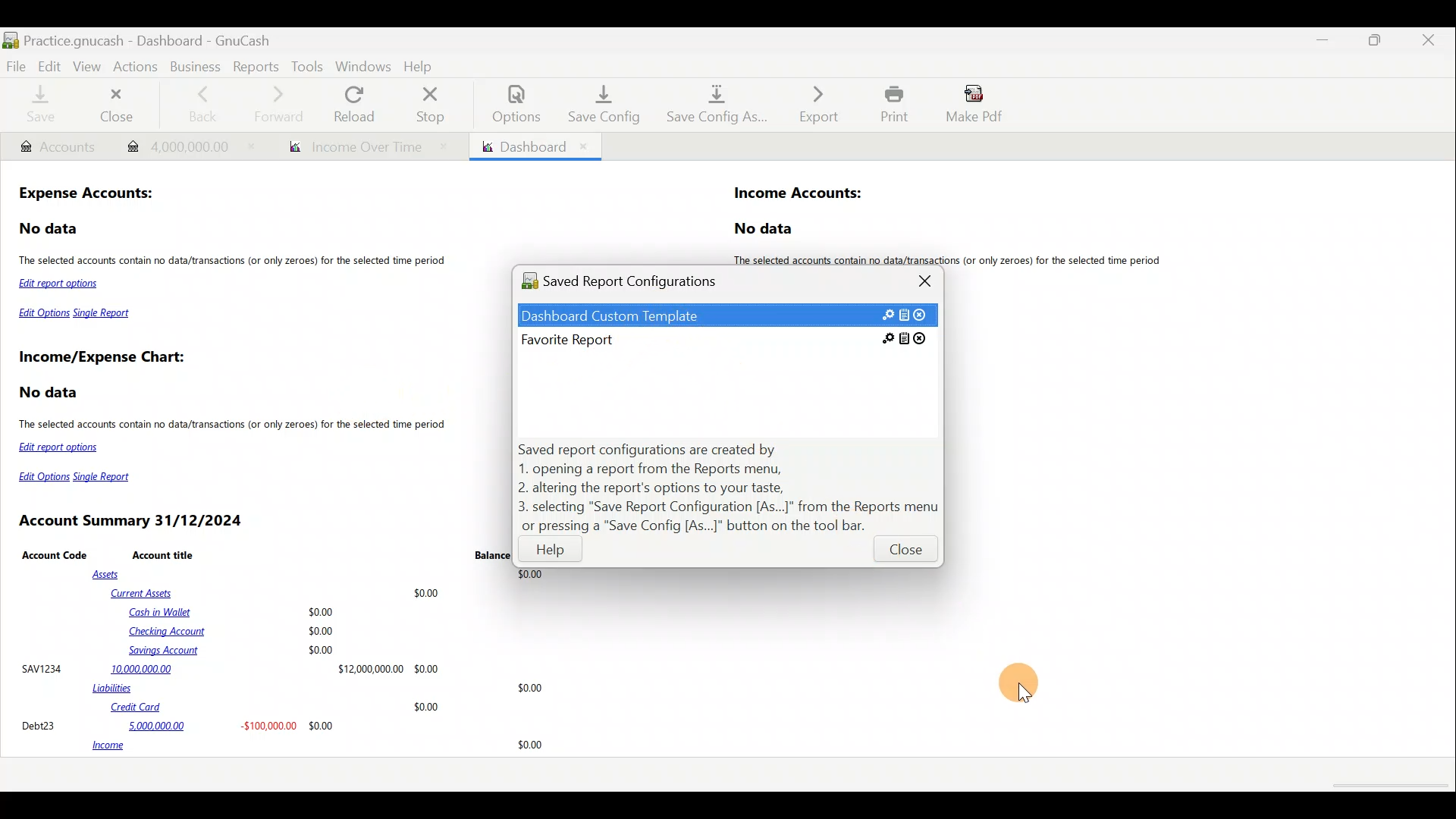 This screenshot has height=819, width=1456. I want to click on Edit, so click(49, 65).